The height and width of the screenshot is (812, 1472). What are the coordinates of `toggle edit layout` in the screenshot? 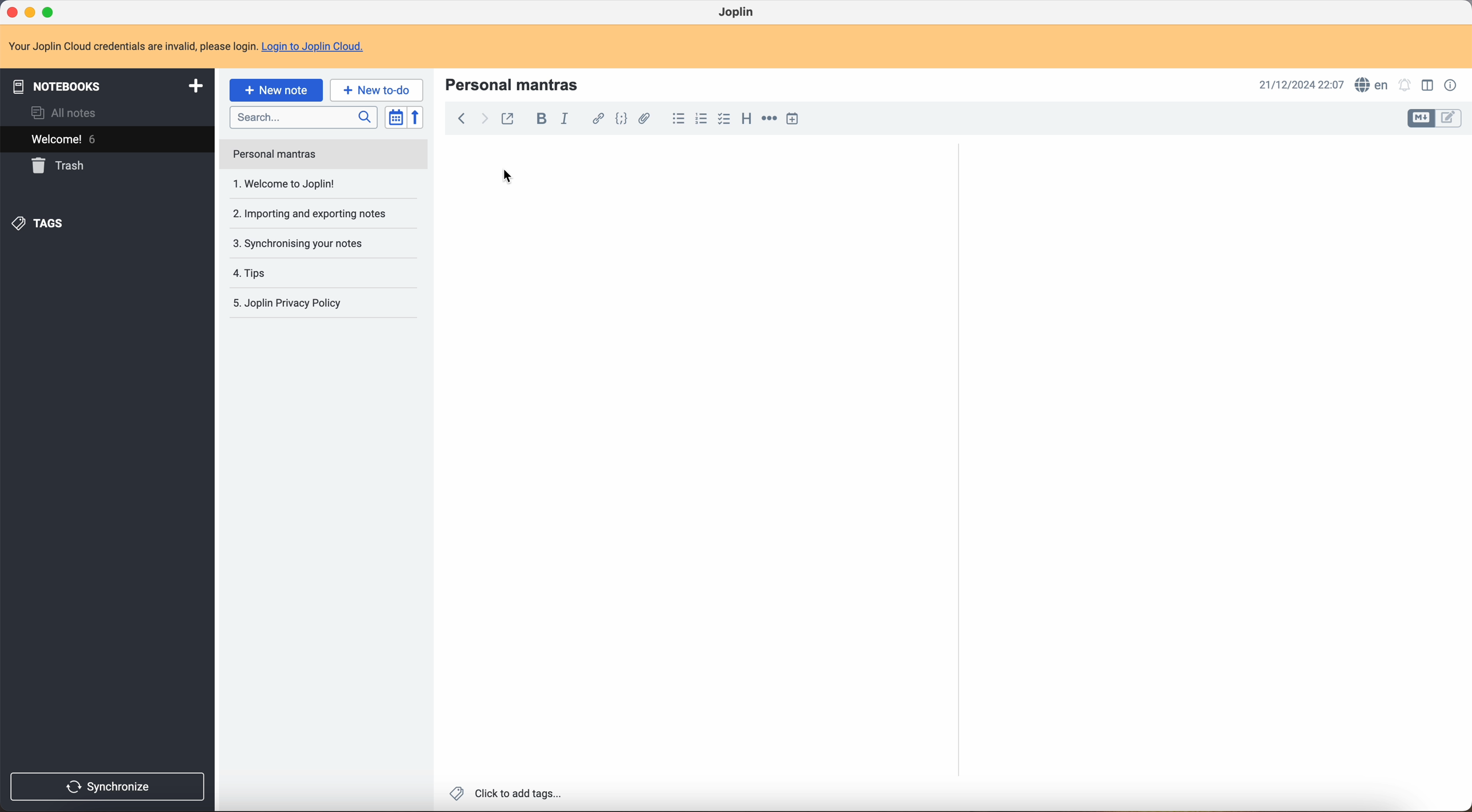 It's located at (1422, 119).